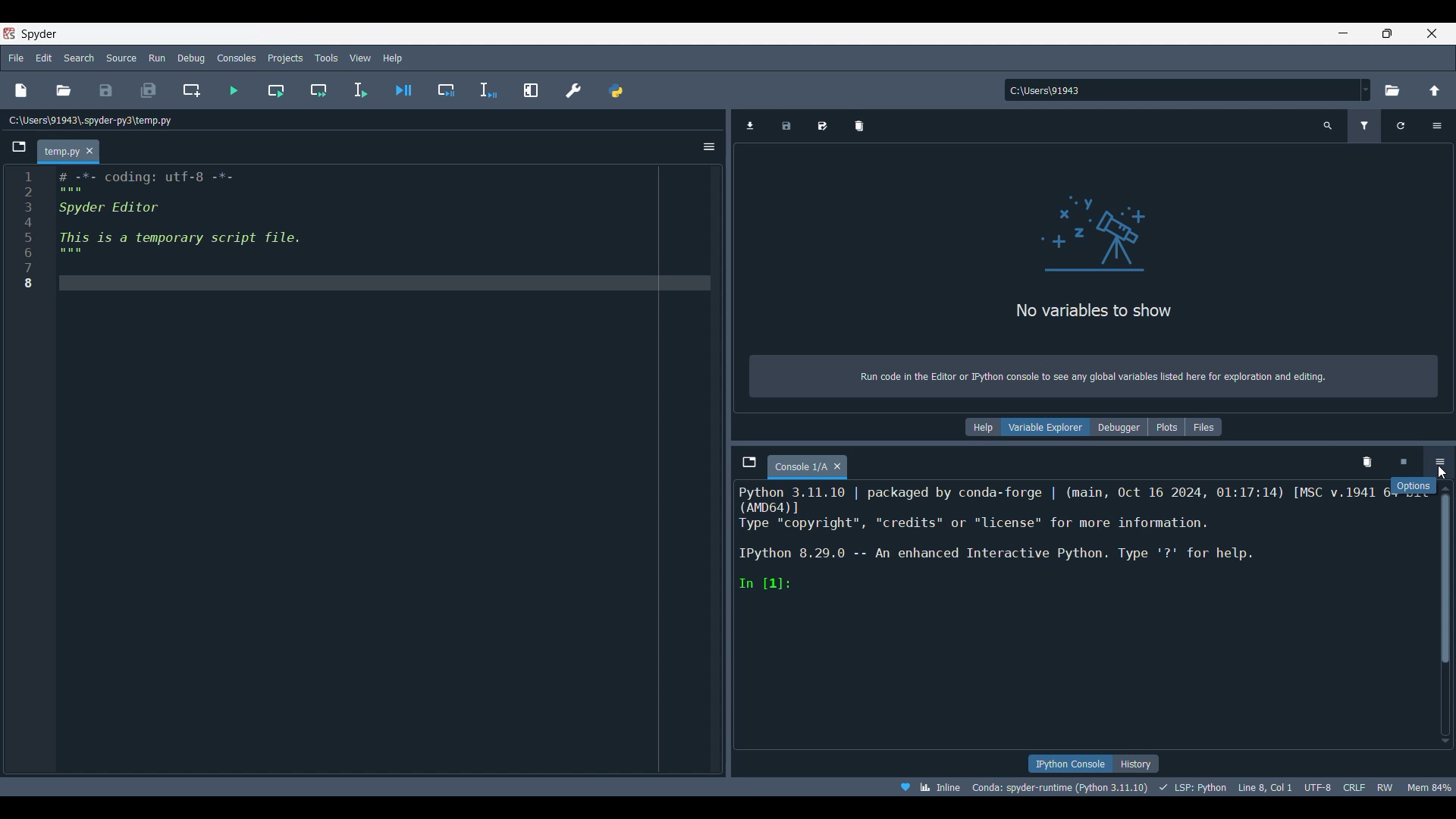 The height and width of the screenshot is (819, 1456). I want to click on Projects menu, so click(286, 58).